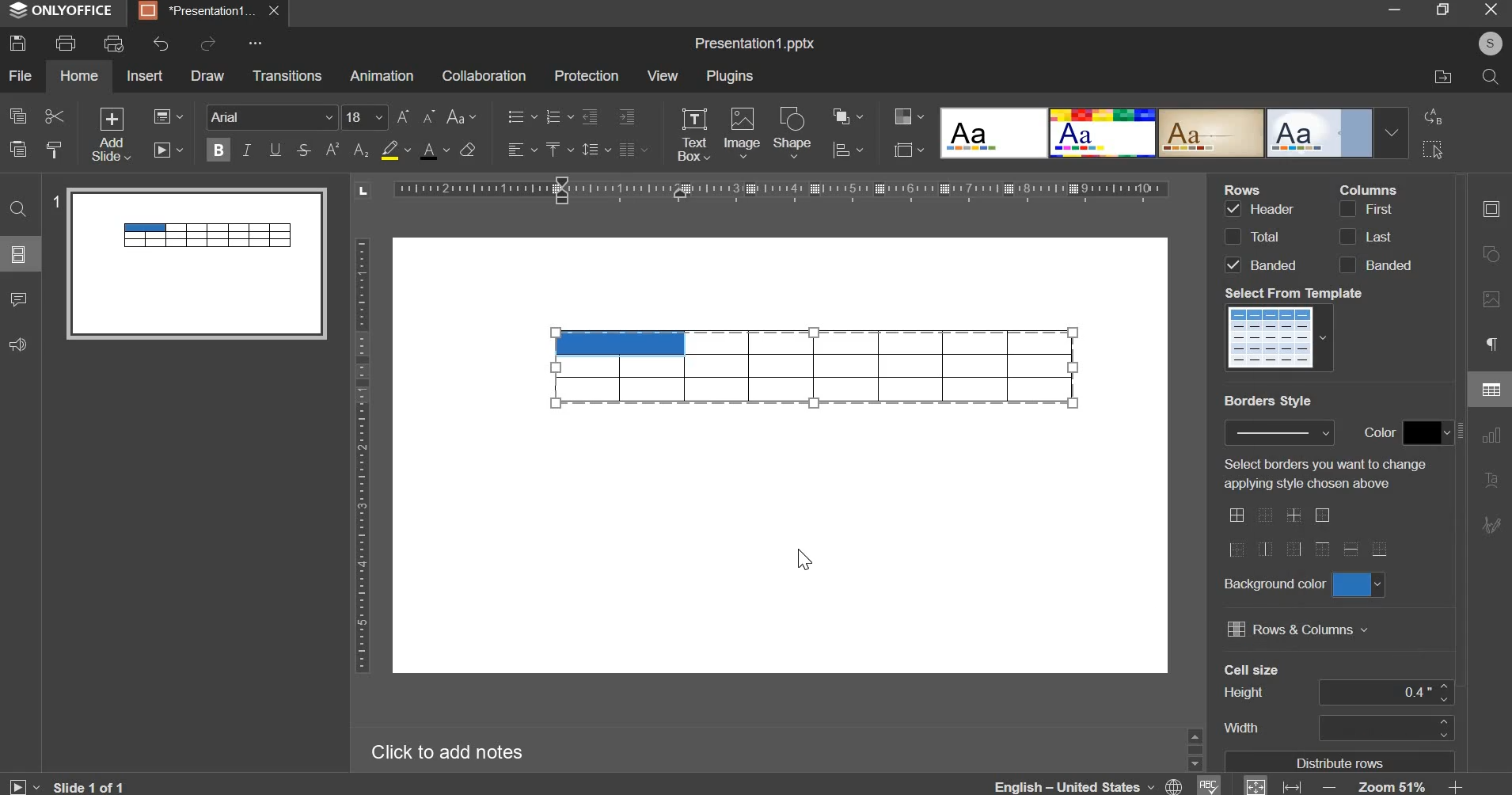  Describe the element at coordinates (274, 149) in the screenshot. I see `underline` at that location.